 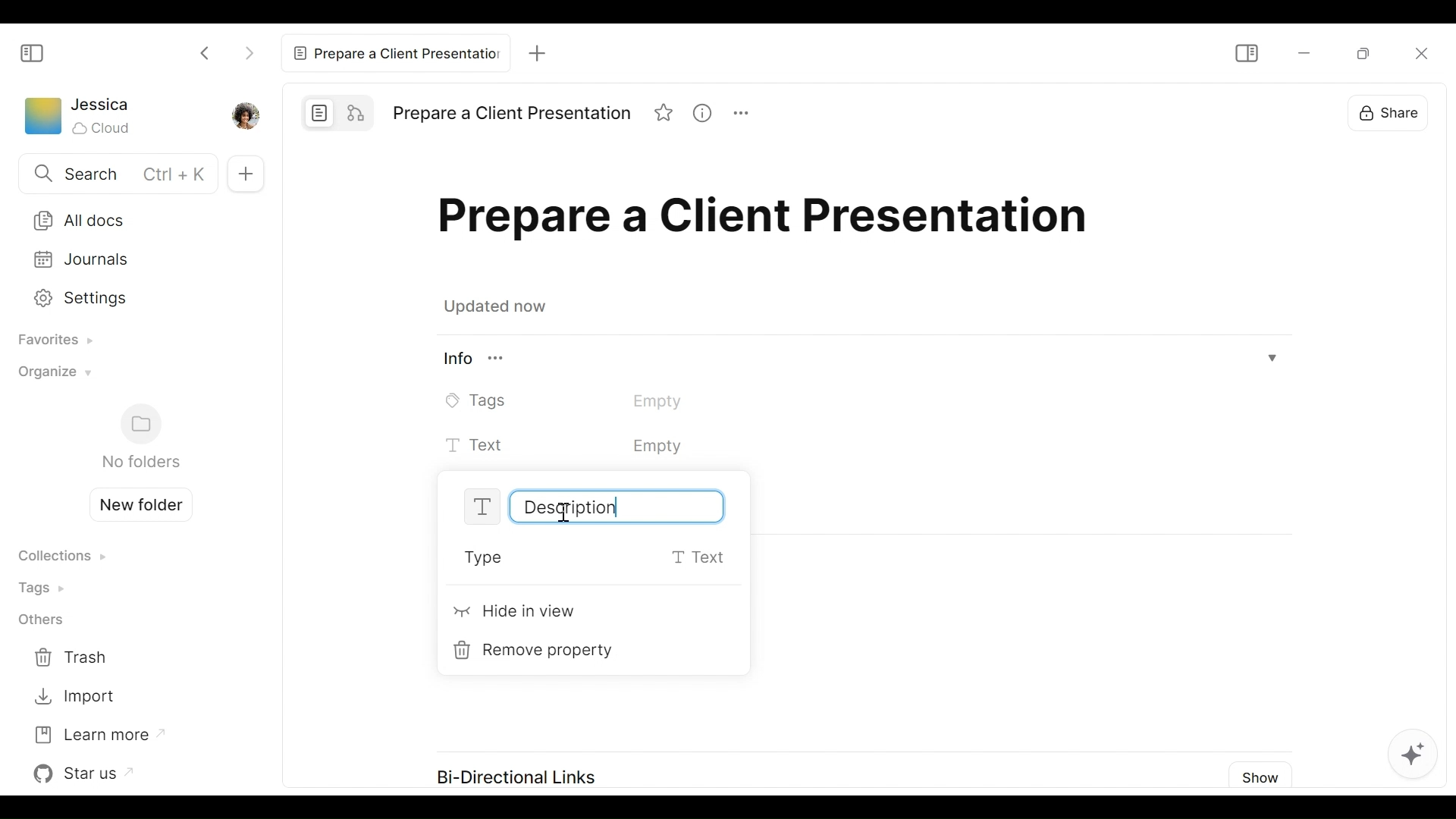 I want to click on Close, so click(x=1427, y=52).